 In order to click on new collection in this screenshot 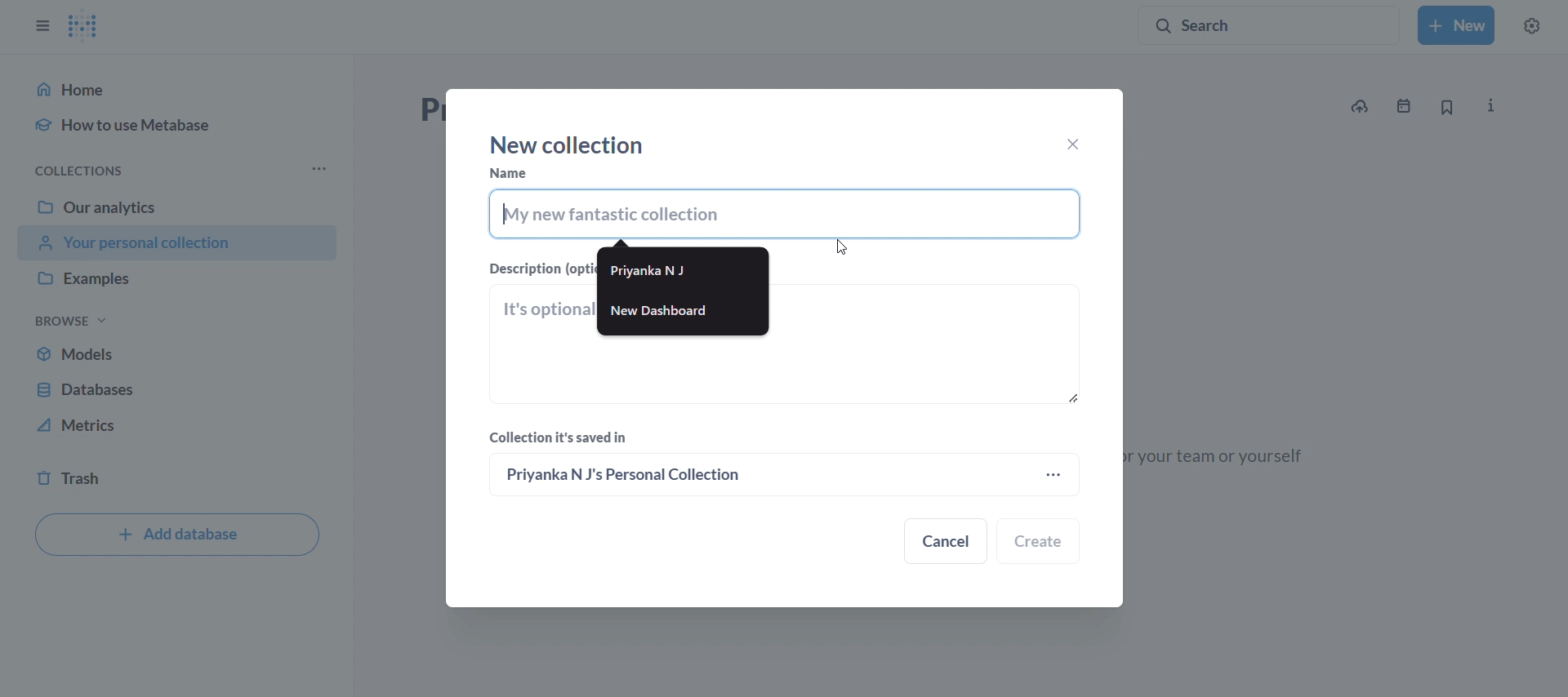, I will do `click(569, 145)`.